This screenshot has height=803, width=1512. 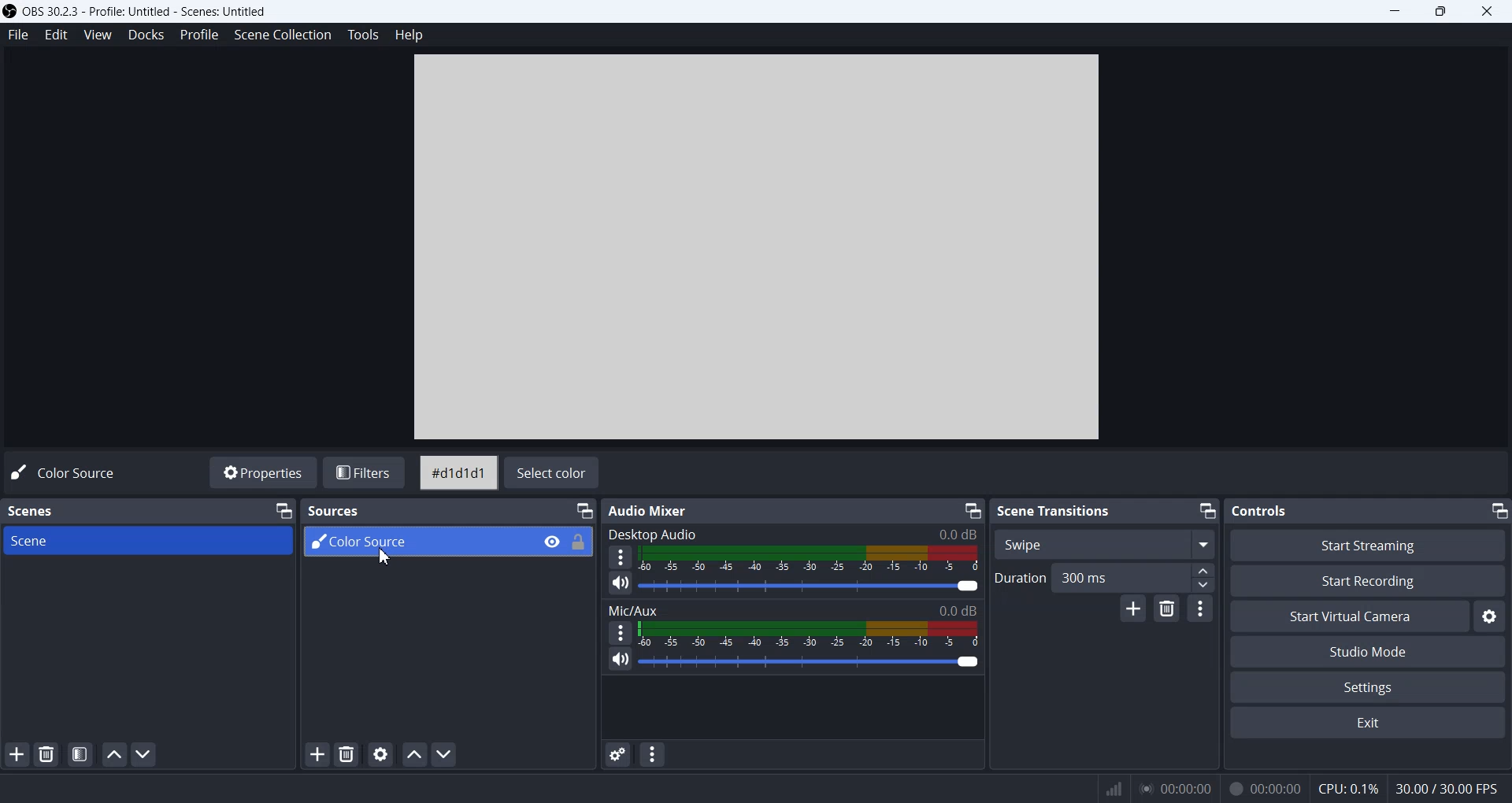 What do you see at coordinates (759, 248) in the screenshot?
I see `Preview Window ` at bounding box center [759, 248].